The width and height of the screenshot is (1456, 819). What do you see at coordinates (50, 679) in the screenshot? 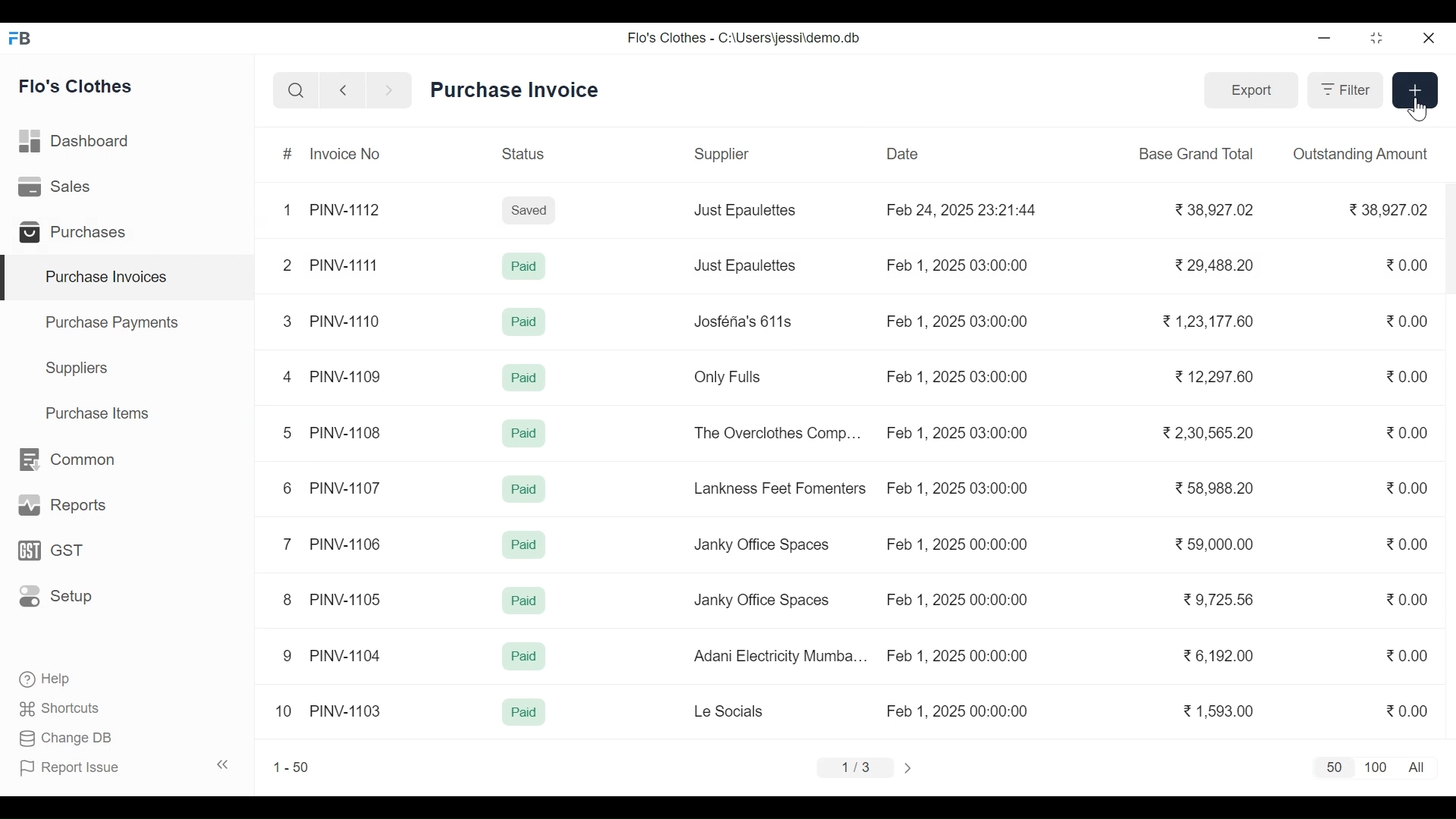
I see `Help` at bounding box center [50, 679].